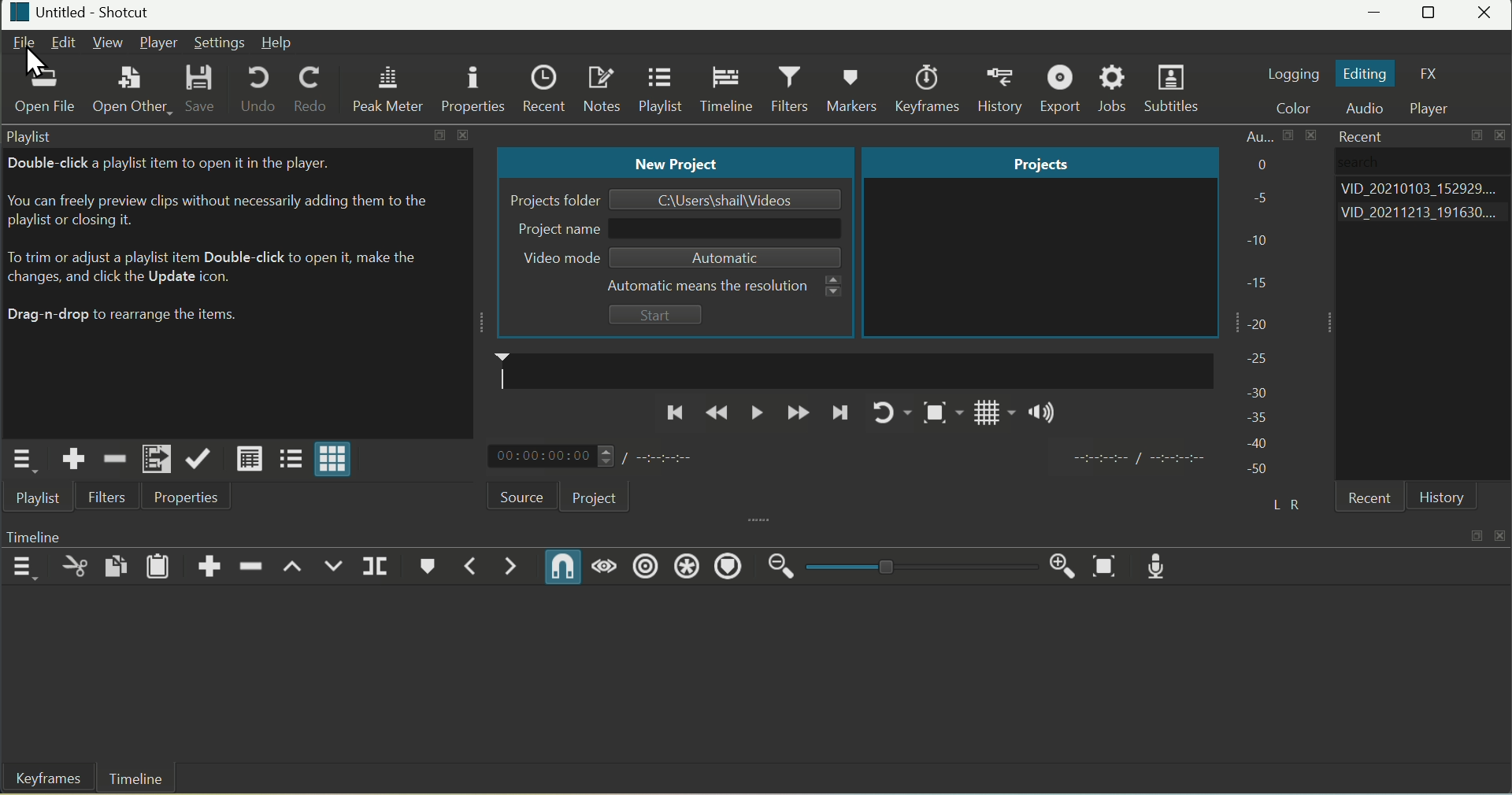  What do you see at coordinates (376, 565) in the screenshot?
I see `Split at Playahead` at bounding box center [376, 565].